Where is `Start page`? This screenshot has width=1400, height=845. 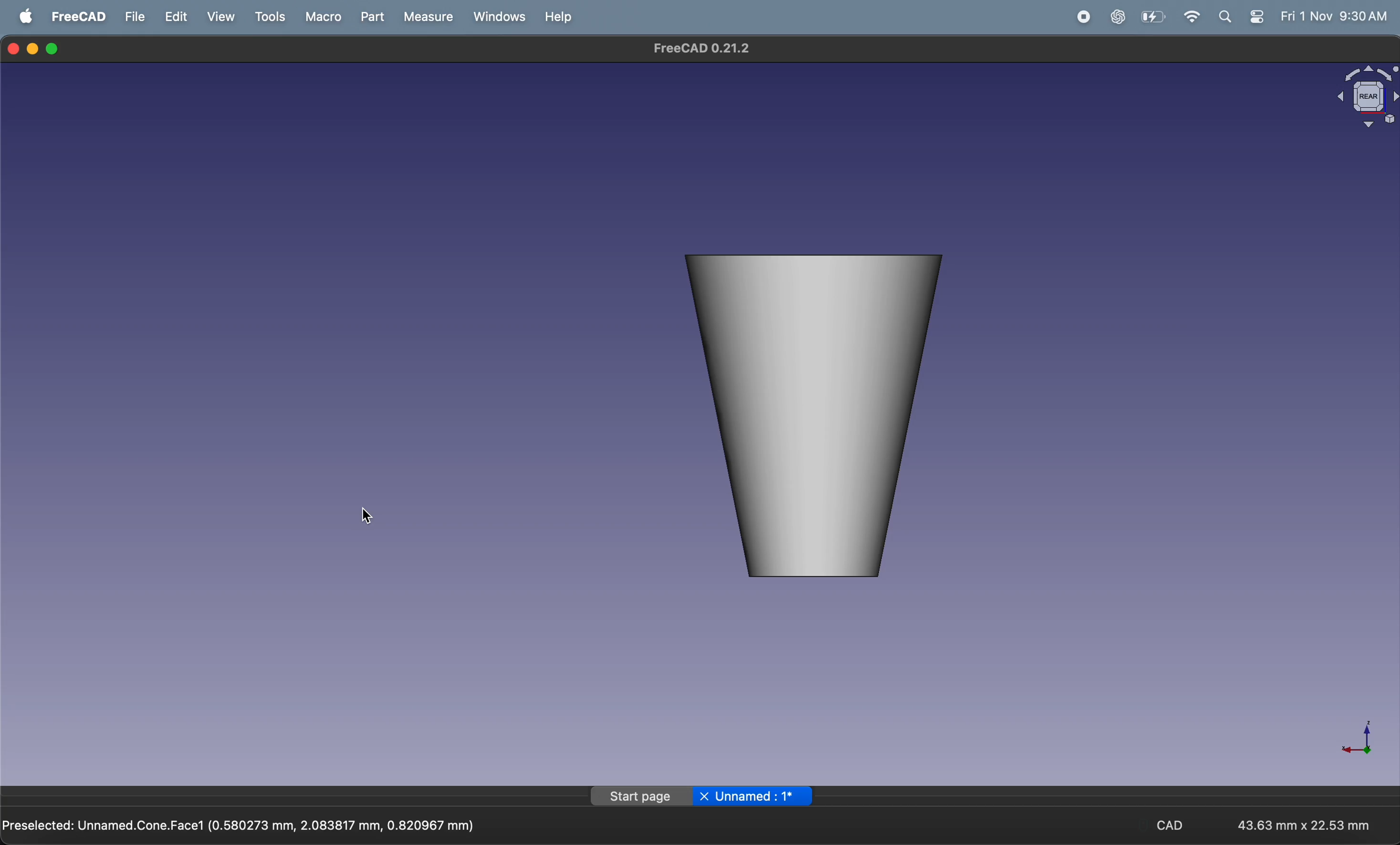 Start page is located at coordinates (641, 797).